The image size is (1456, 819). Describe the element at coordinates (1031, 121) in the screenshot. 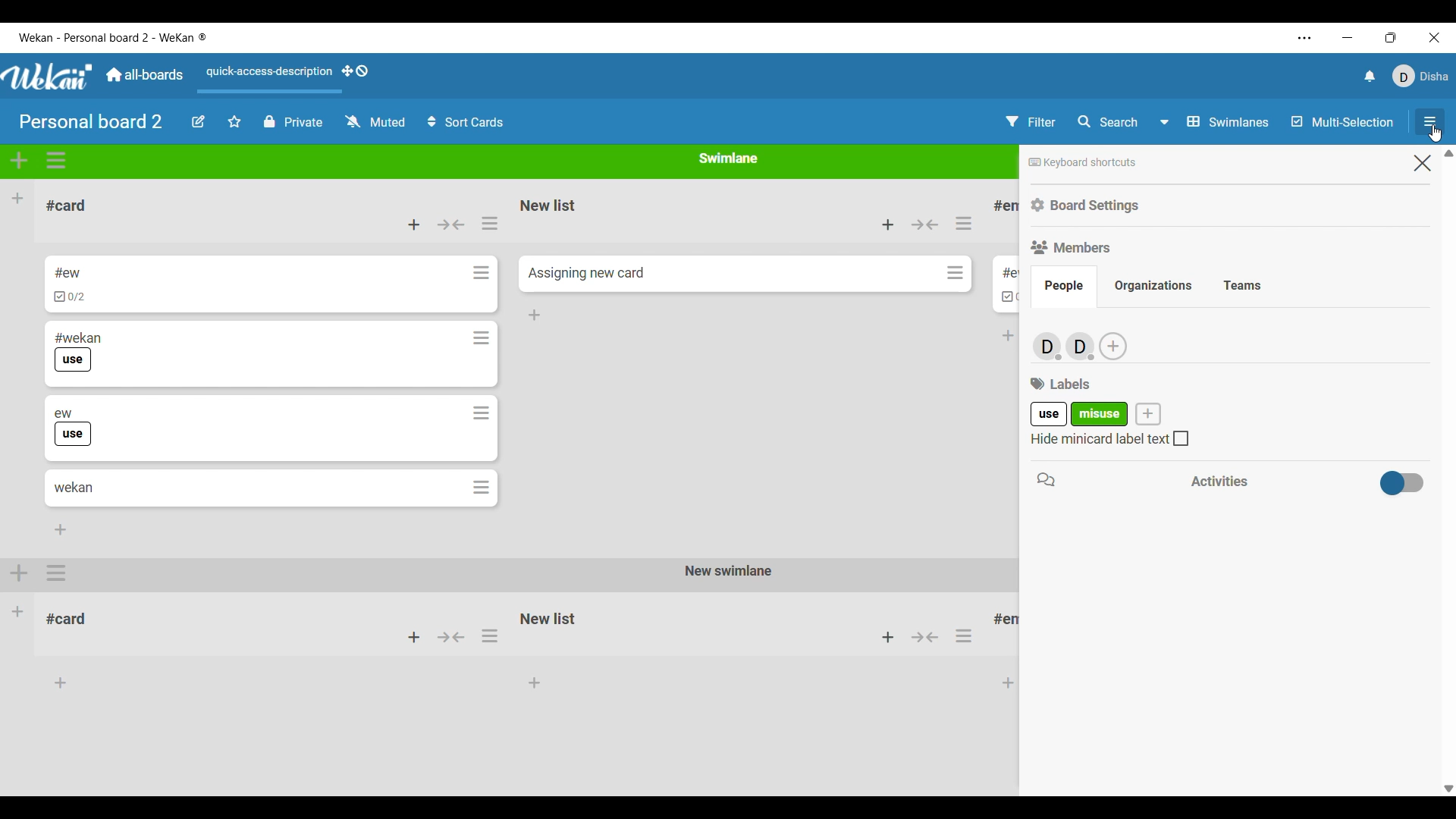

I see `Filter` at that location.